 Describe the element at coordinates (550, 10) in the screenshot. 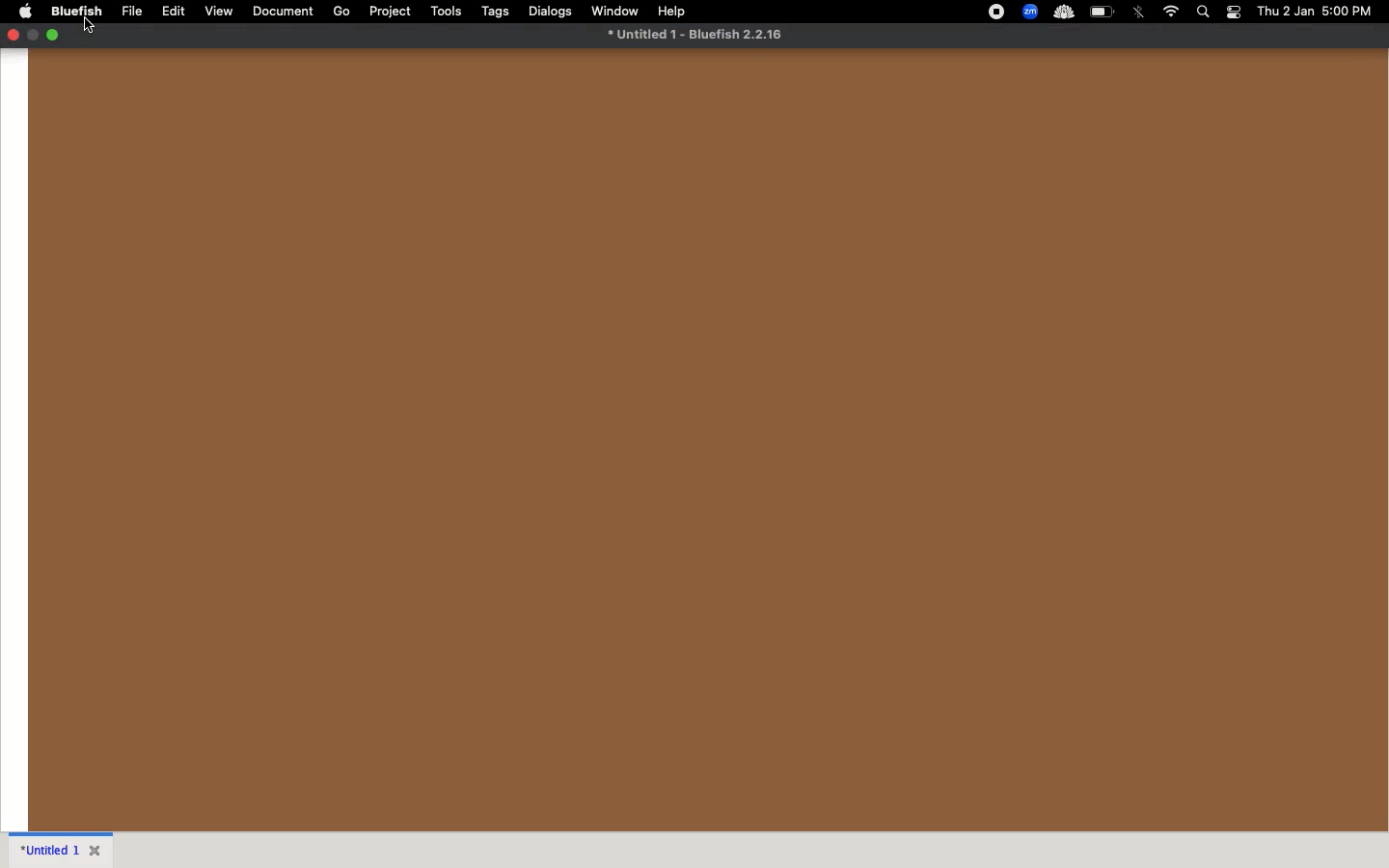

I see `dialogs ` at that location.